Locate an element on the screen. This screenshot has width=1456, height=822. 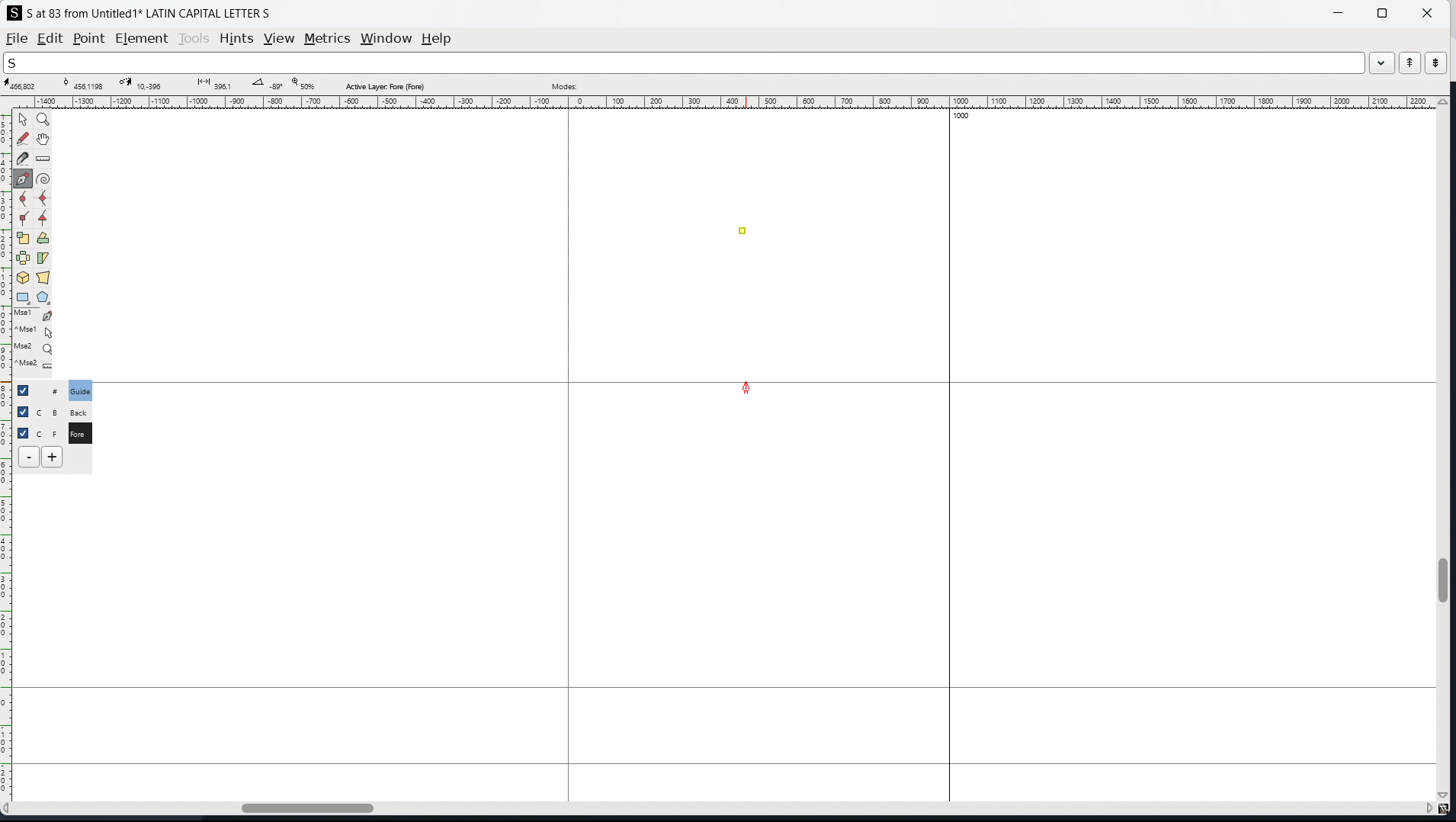
element is located at coordinates (143, 39).